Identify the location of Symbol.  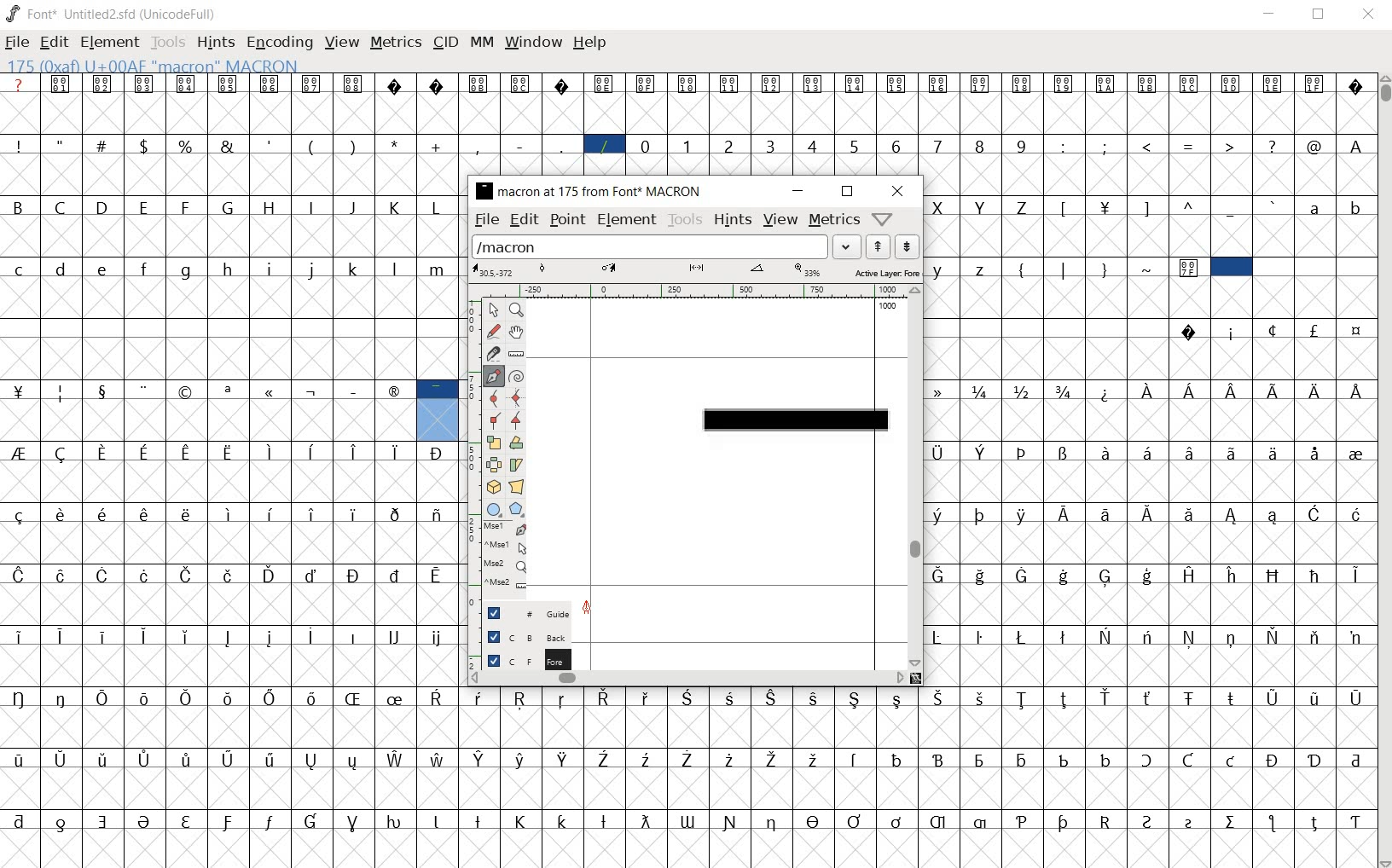
(357, 761).